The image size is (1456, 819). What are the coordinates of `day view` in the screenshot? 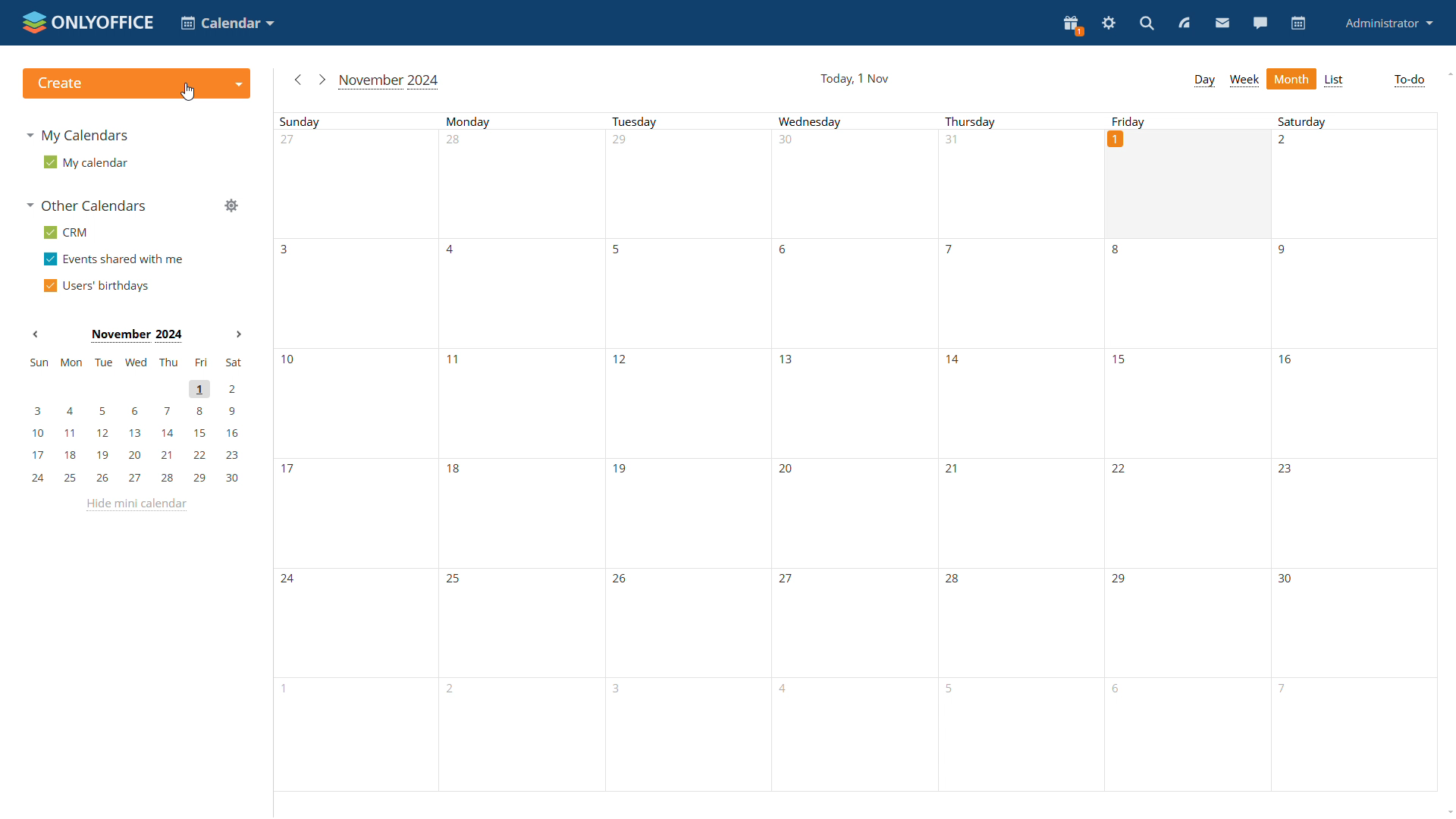 It's located at (1204, 81).